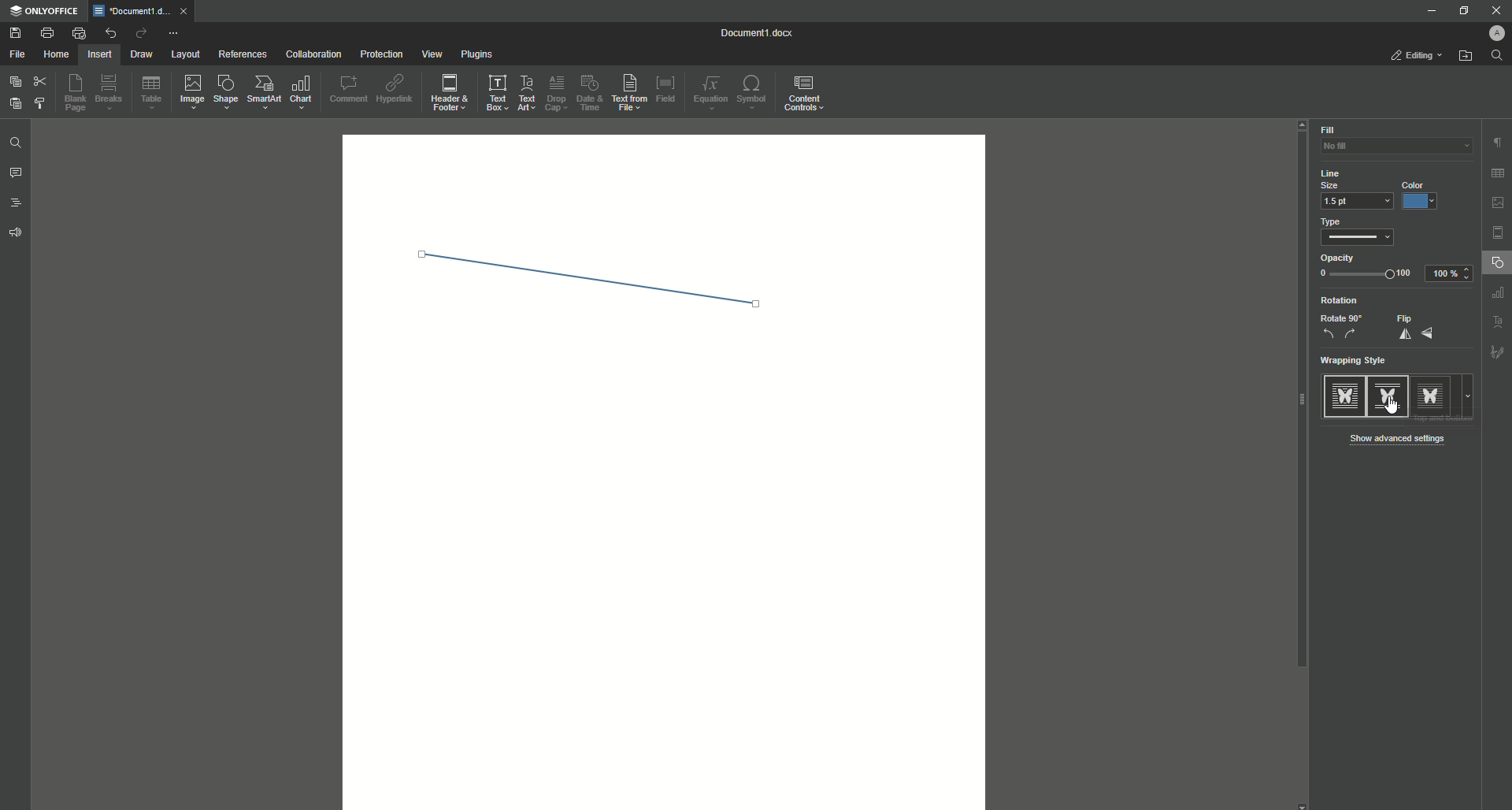  What do you see at coordinates (1497, 10) in the screenshot?
I see `Close` at bounding box center [1497, 10].